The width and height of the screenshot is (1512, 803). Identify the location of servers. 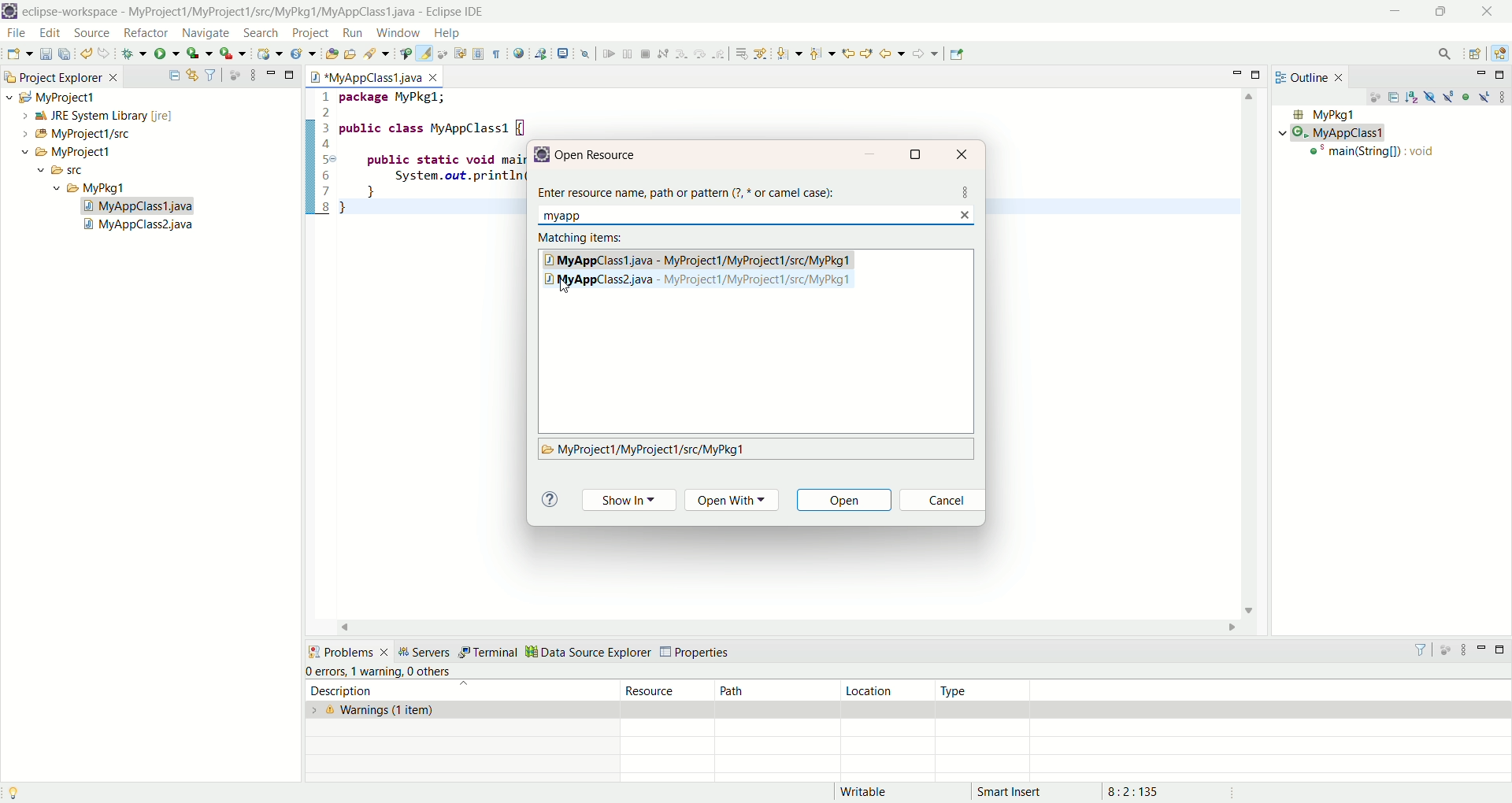
(424, 651).